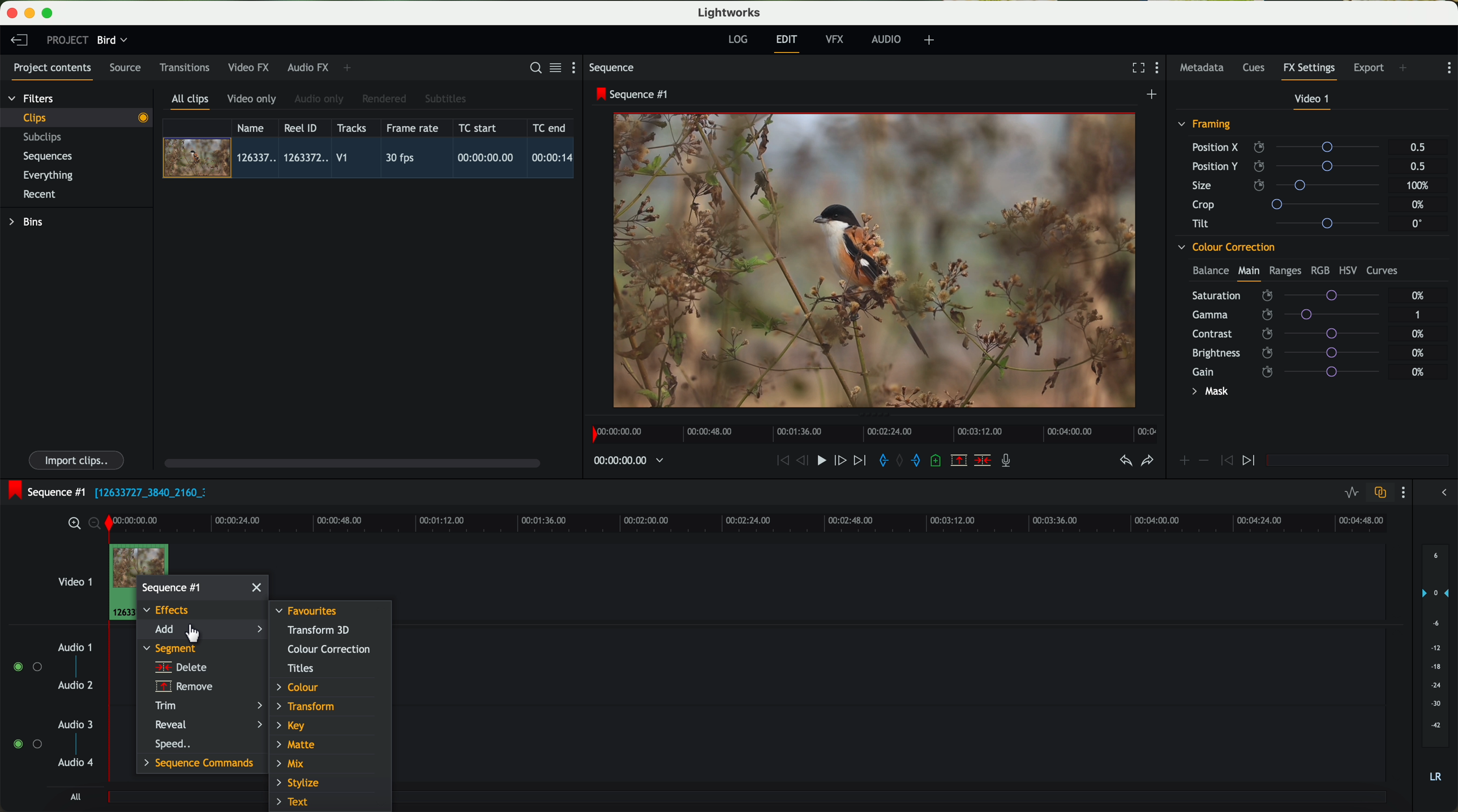 The height and width of the screenshot is (812, 1458). Describe the element at coordinates (1418, 372) in the screenshot. I see `0%` at that location.